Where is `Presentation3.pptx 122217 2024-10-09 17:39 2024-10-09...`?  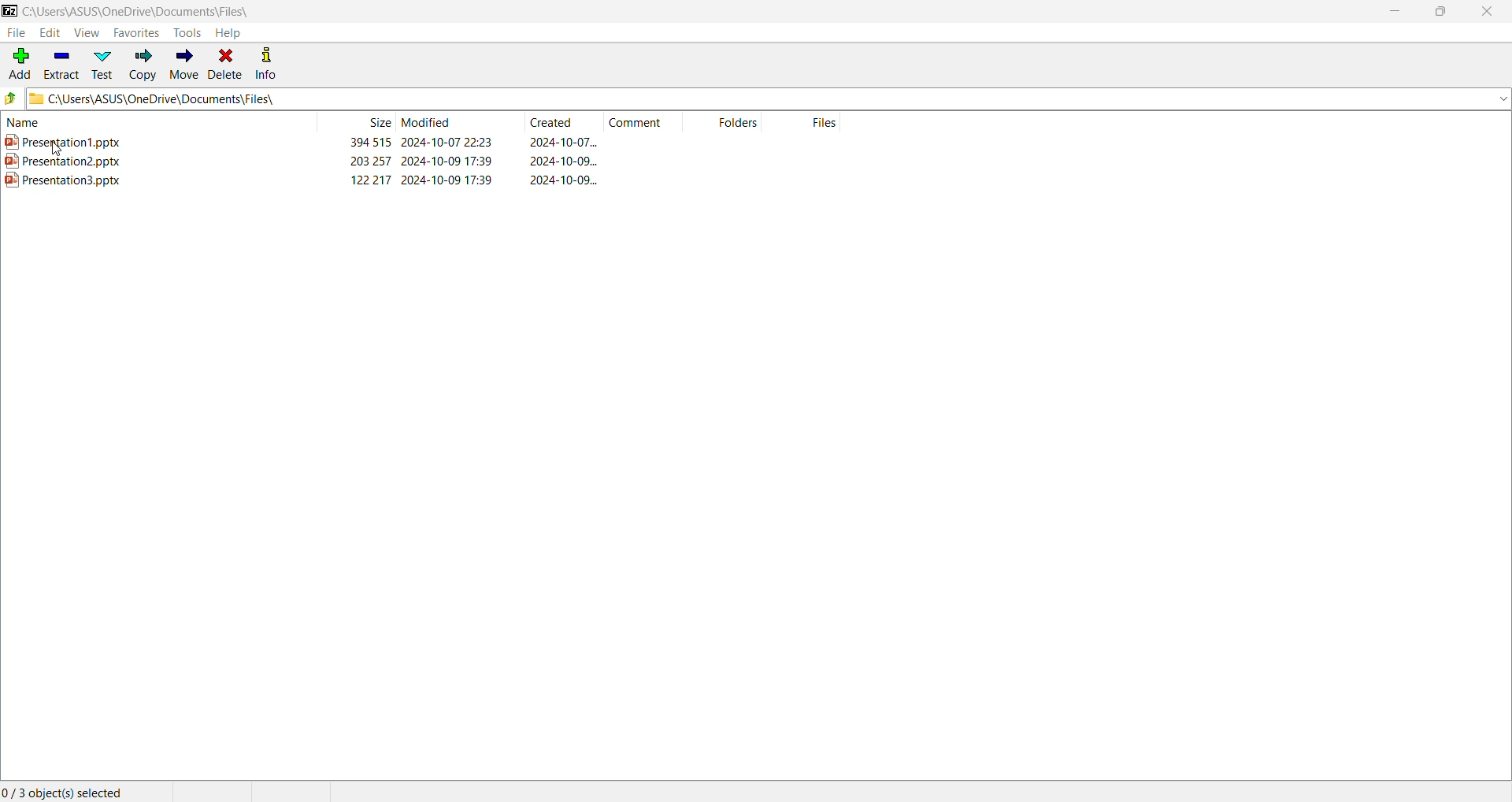
Presentation3.pptx 122217 2024-10-09 17:39 2024-10-09... is located at coordinates (315, 180).